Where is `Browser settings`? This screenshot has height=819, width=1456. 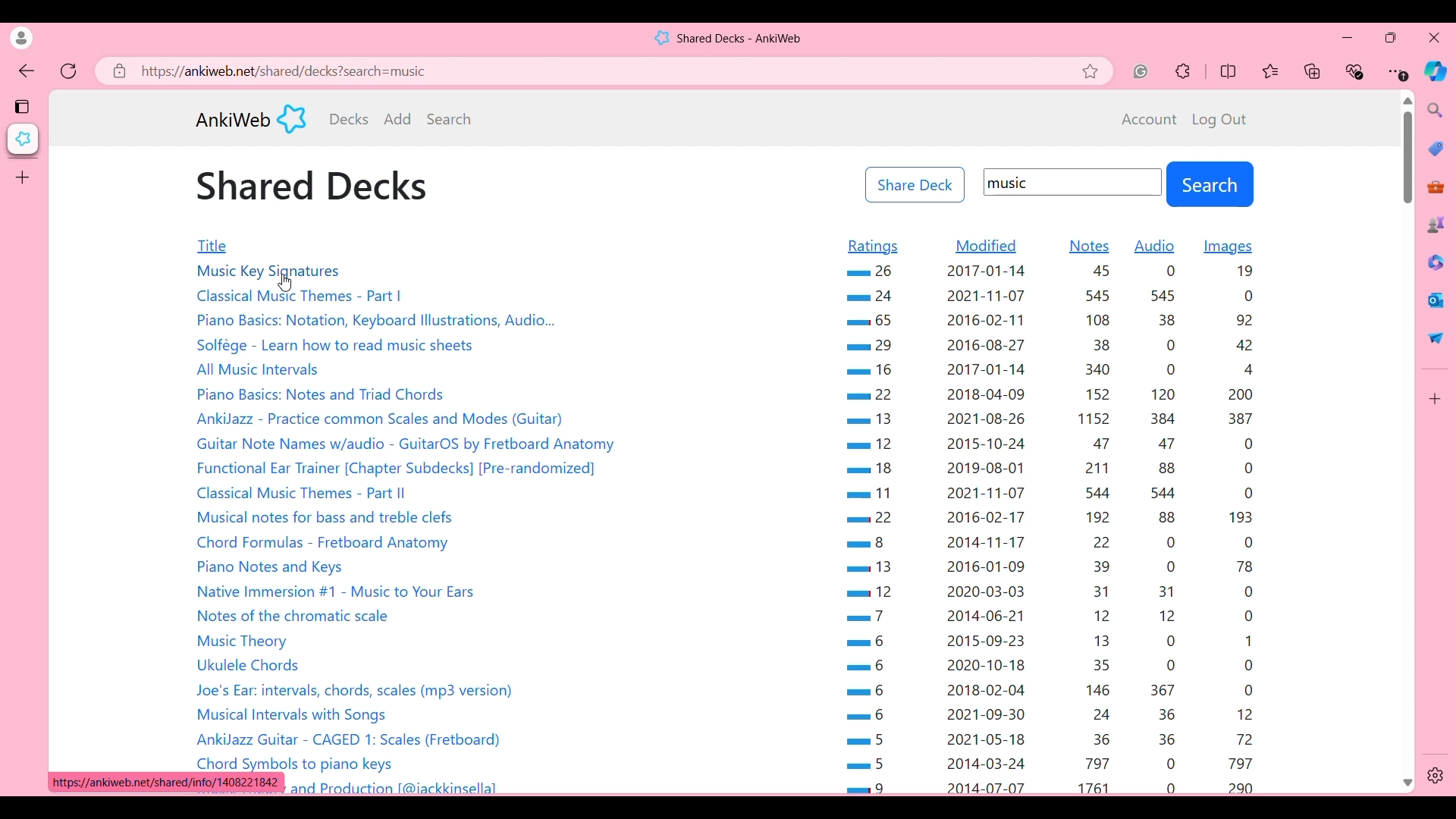
Browser settings is located at coordinates (1398, 71).